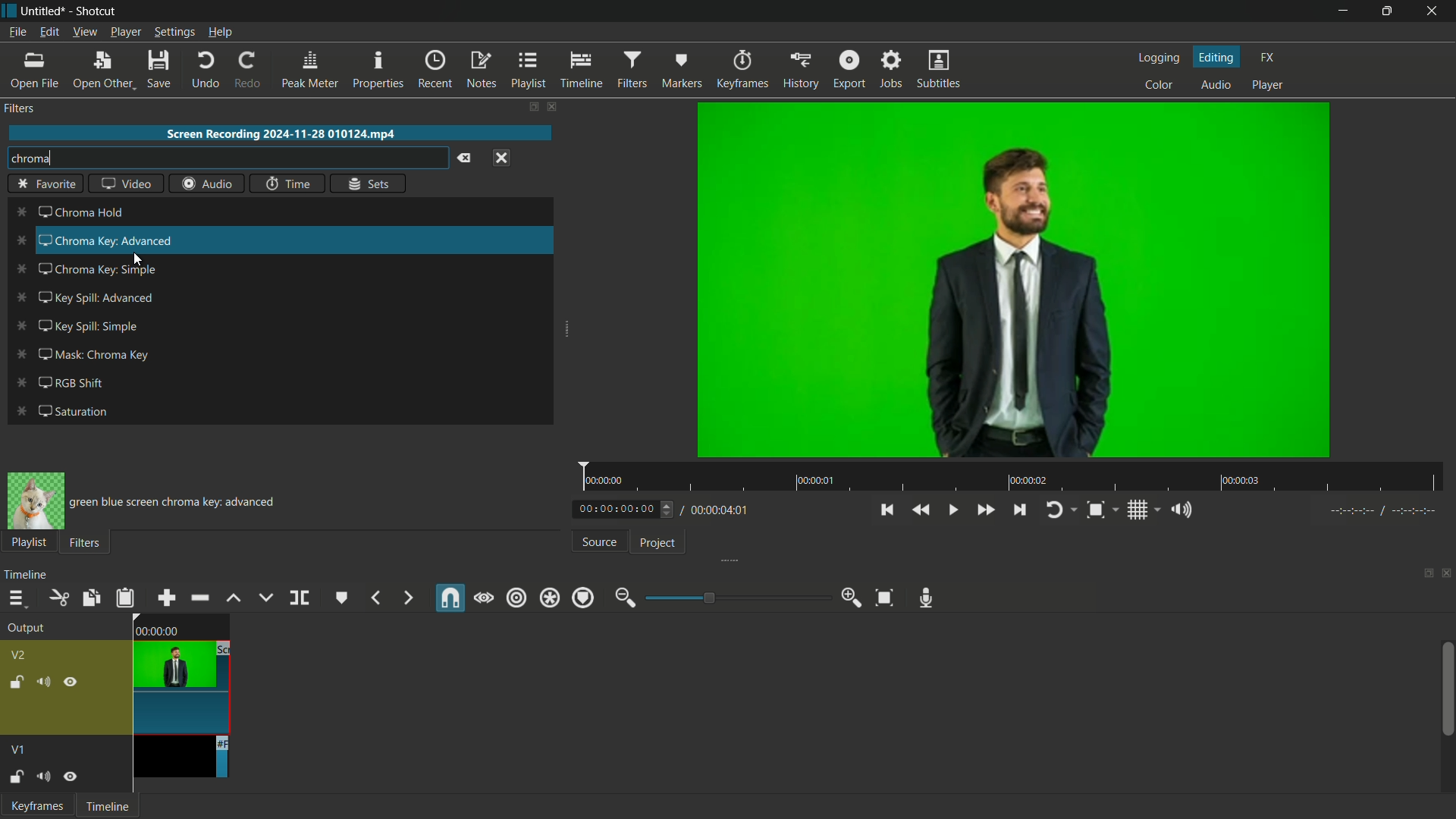  I want to click on next marker, so click(407, 598).